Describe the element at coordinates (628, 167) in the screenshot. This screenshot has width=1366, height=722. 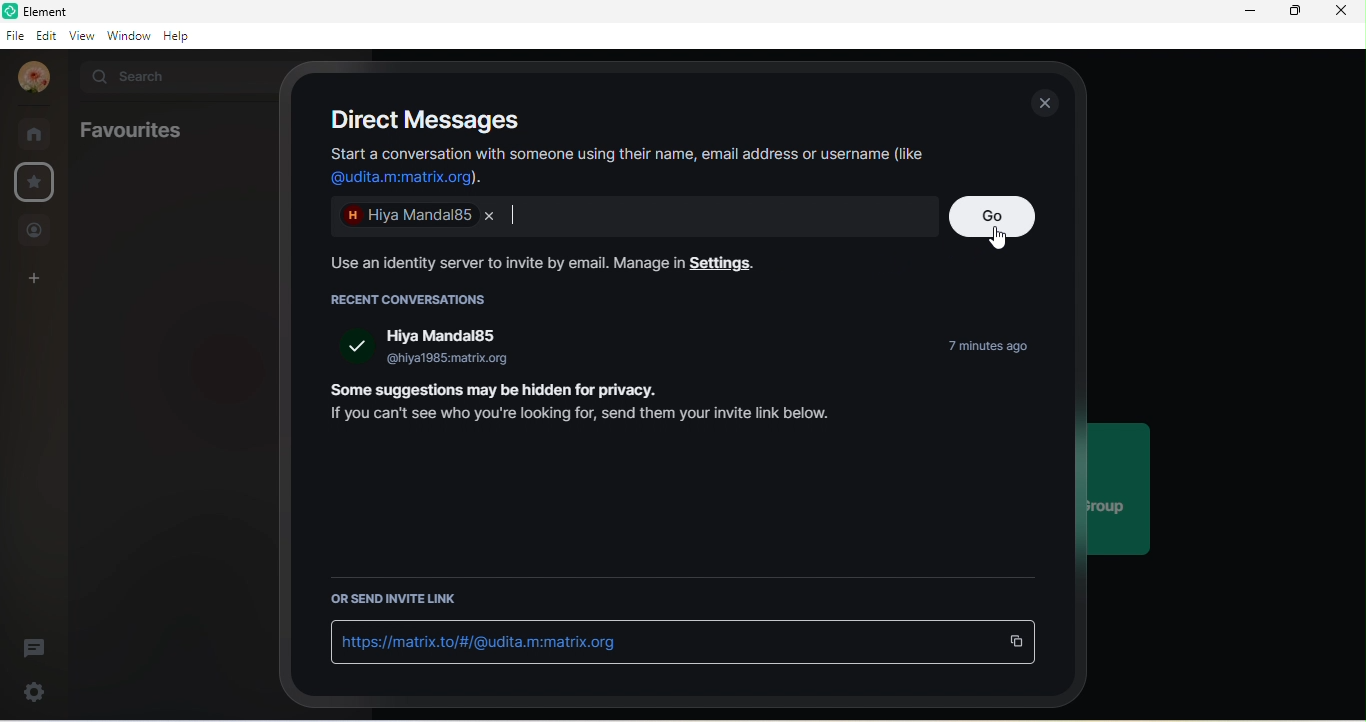
I see `Start a conversation with someone using their name, email address or username (like @udita.m:matrix.org).` at that location.